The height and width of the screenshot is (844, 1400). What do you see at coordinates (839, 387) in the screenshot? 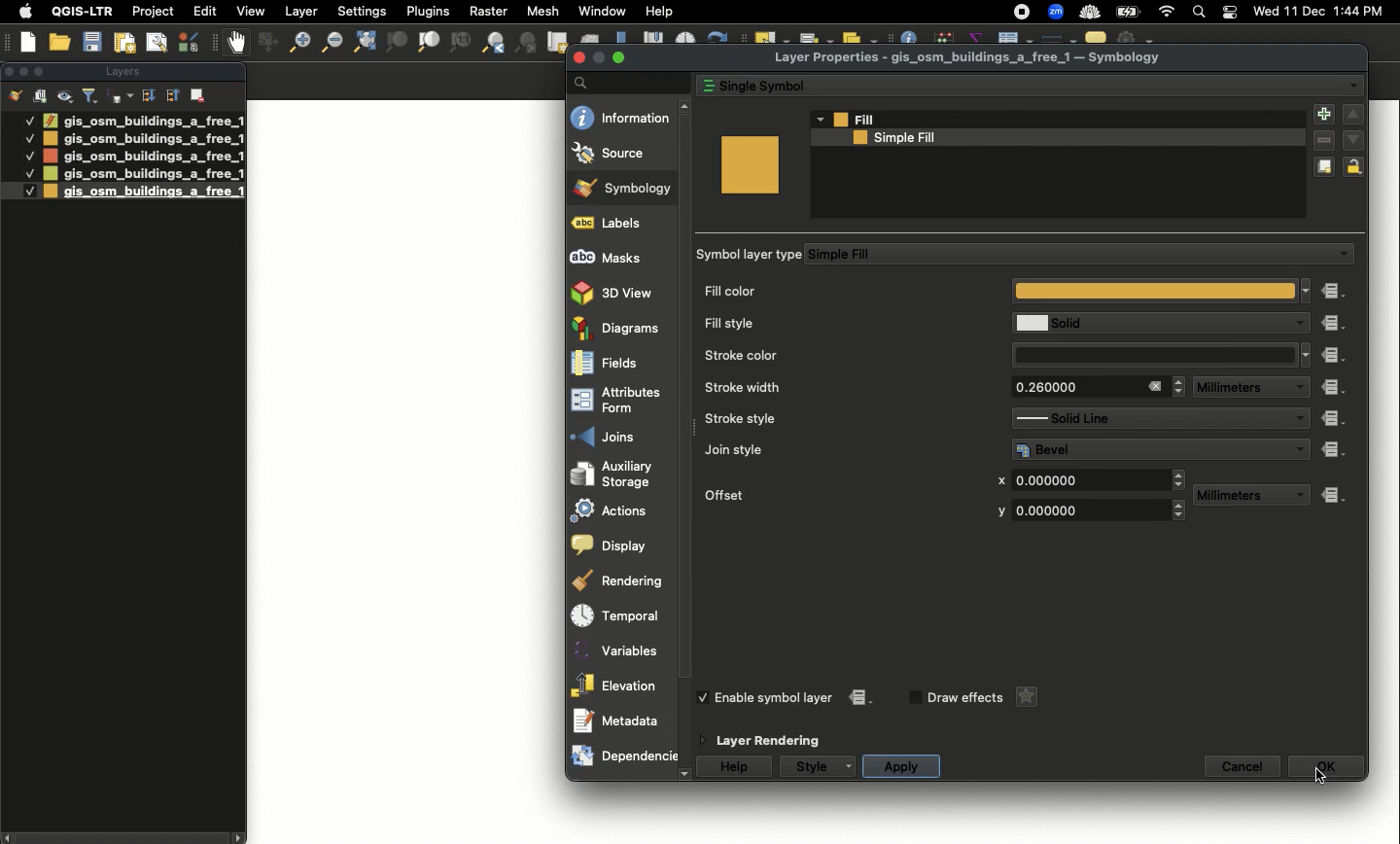
I see `Stroke width ` at bounding box center [839, 387].